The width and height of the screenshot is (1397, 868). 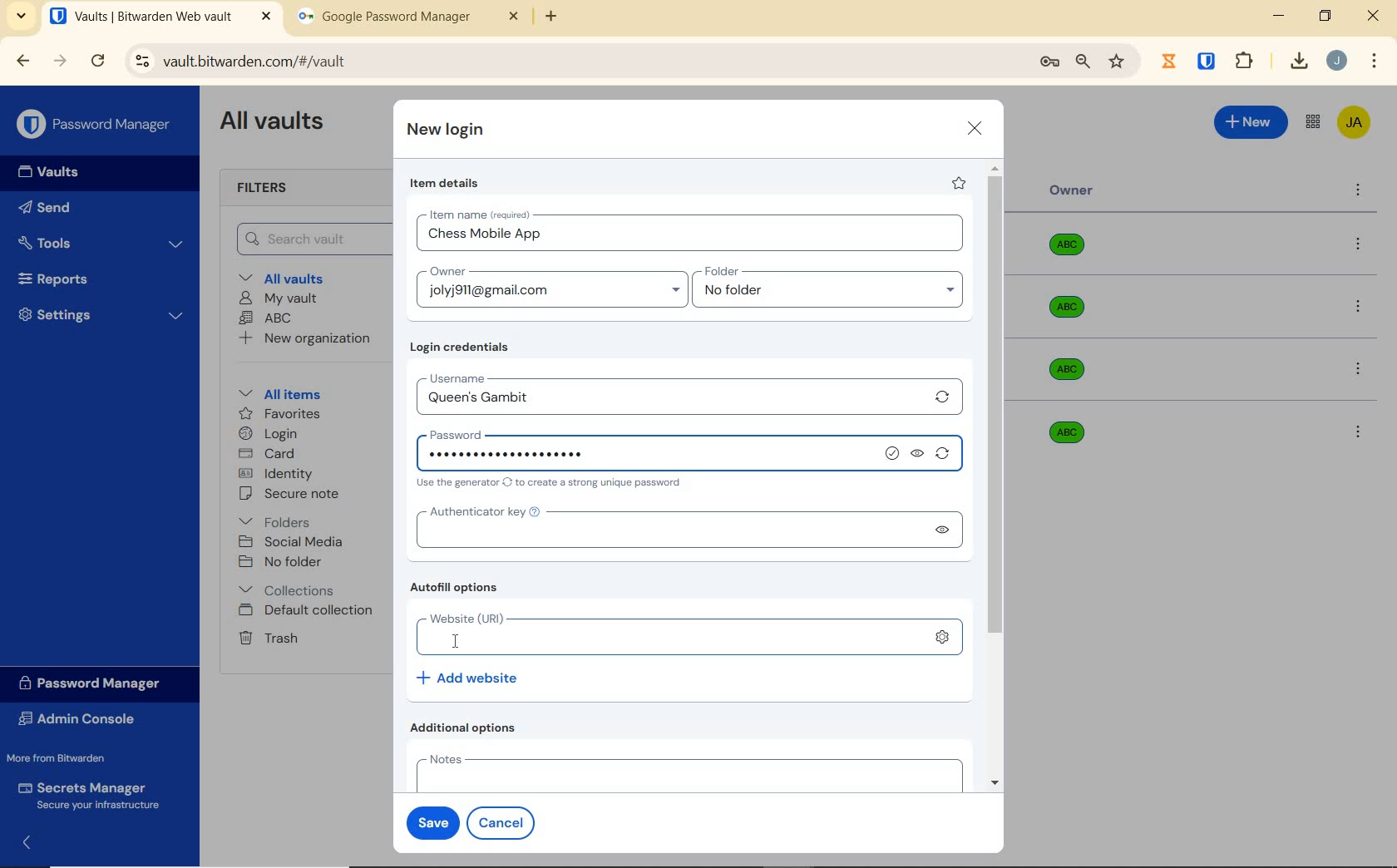 What do you see at coordinates (1073, 369) in the screenshot?
I see `Owner organization` at bounding box center [1073, 369].